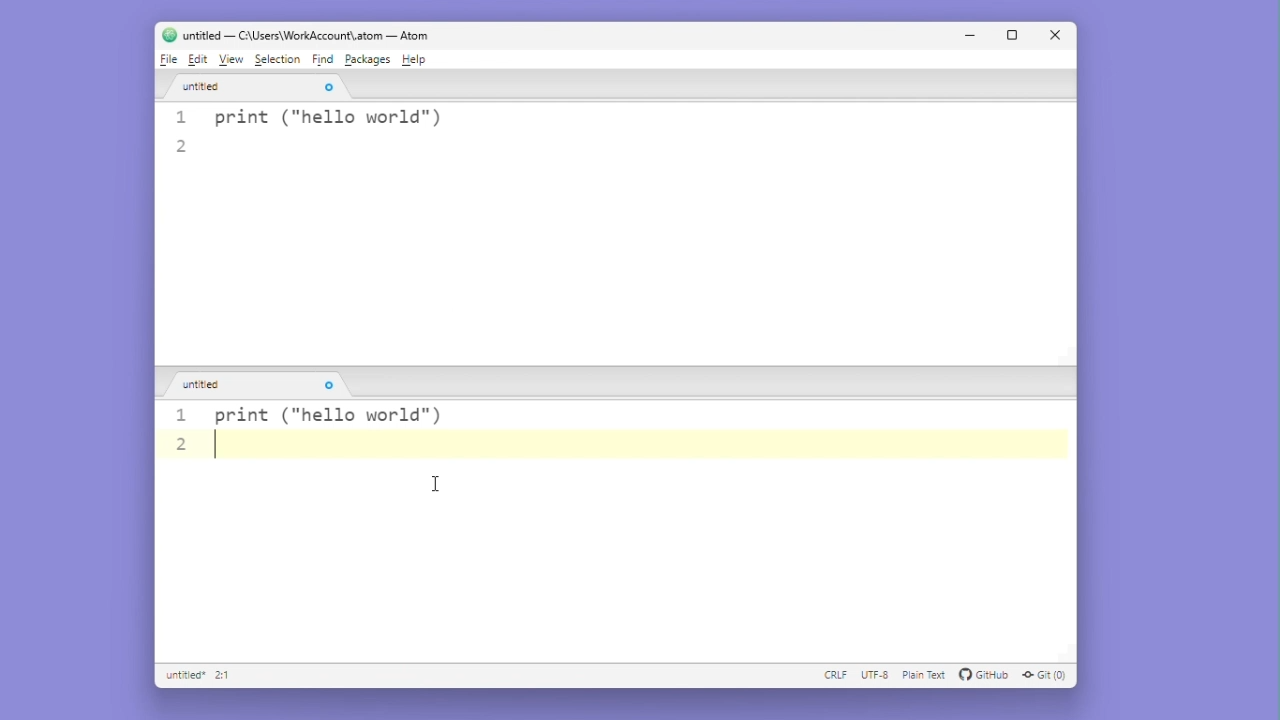  I want to click on untited, so click(264, 386).